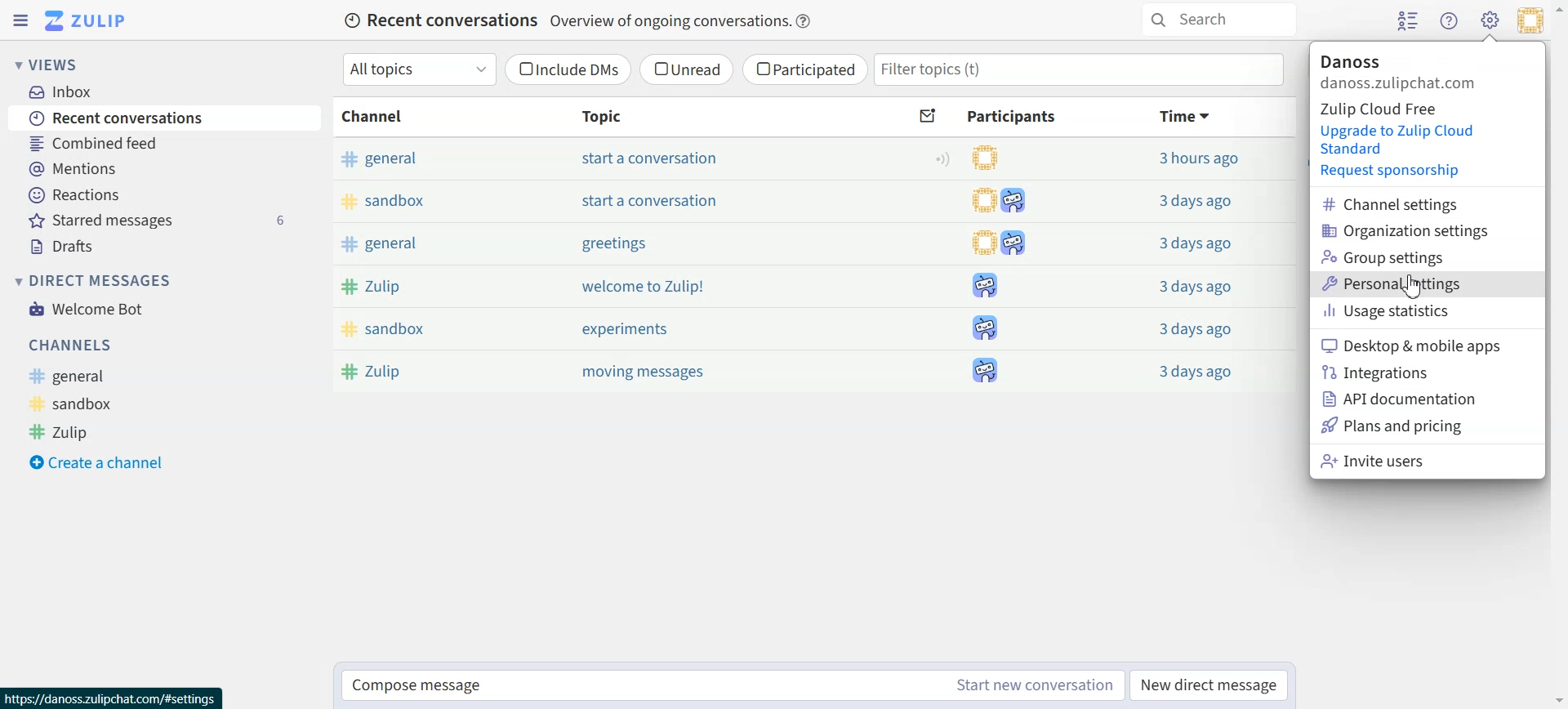 Image resolution: width=1568 pixels, height=709 pixels. What do you see at coordinates (1192, 202) in the screenshot?
I see `3 days ago` at bounding box center [1192, 202].